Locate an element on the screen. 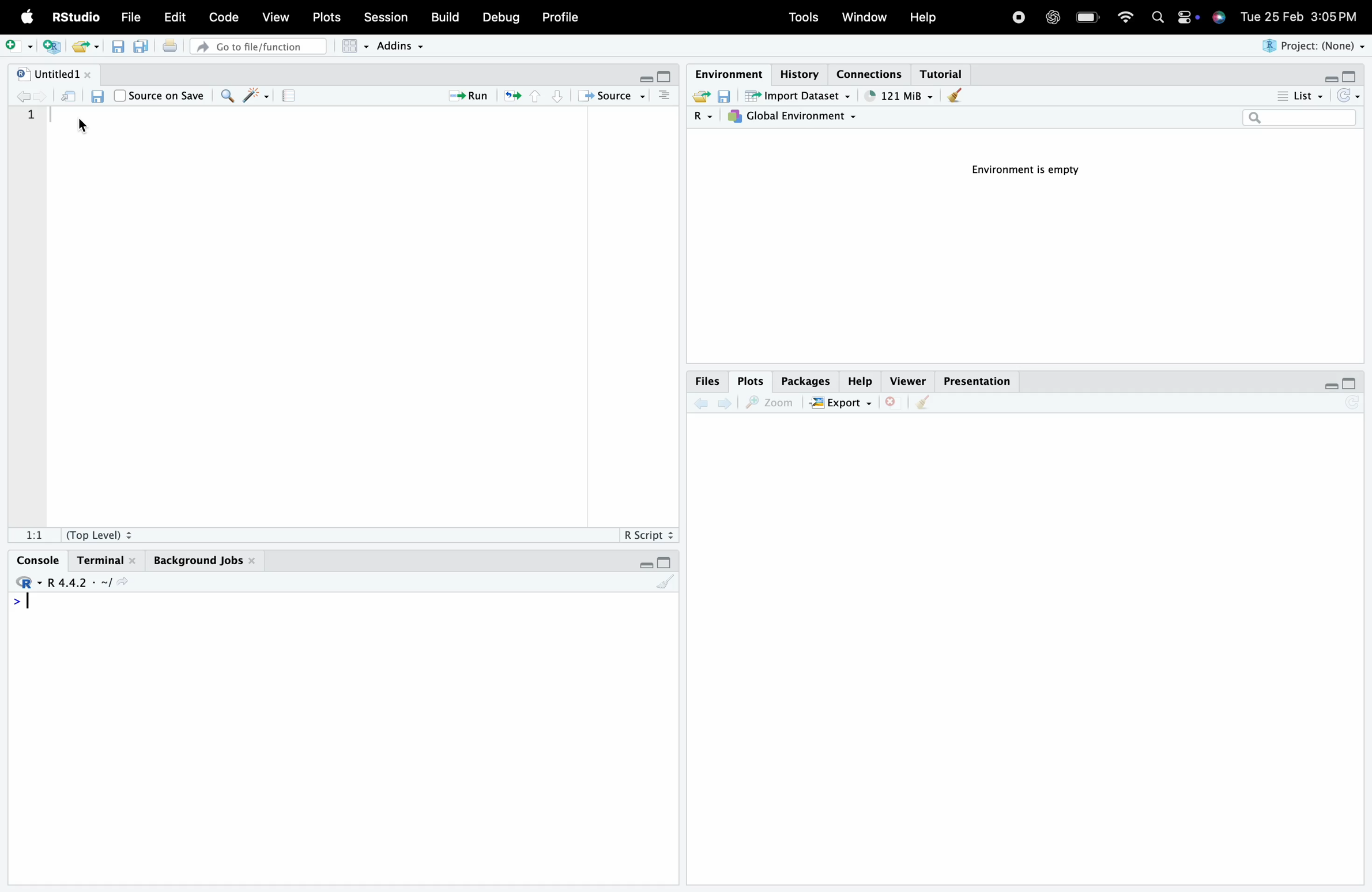 Image resolution: width=1372 pixels, height=892 pixels. Connections is located at coordinates (873, 74).